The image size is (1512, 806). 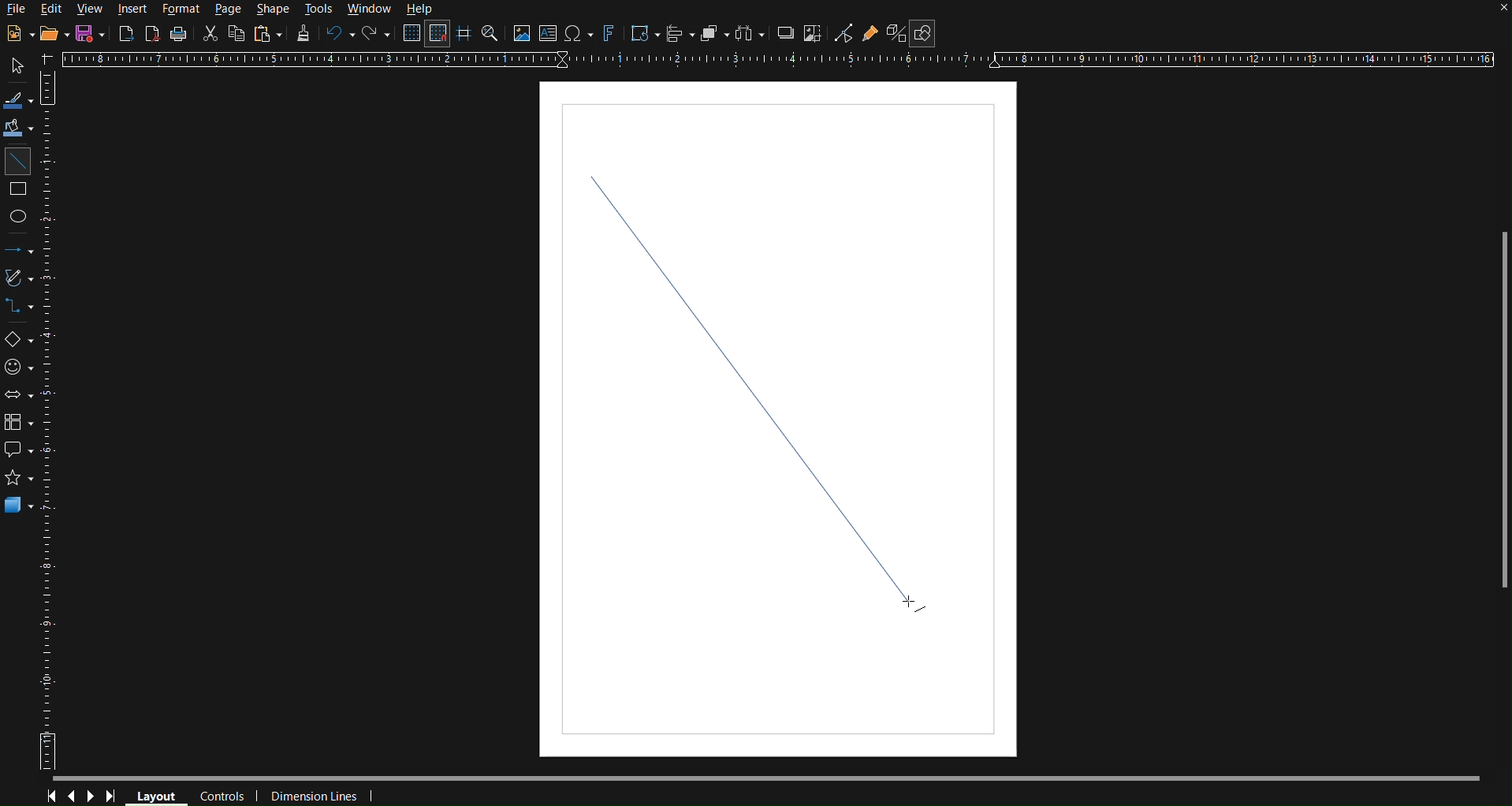 What do you see at coordinates (133, 9) in the screenshot?
I see `Insert` at bounding box center [133, 9].